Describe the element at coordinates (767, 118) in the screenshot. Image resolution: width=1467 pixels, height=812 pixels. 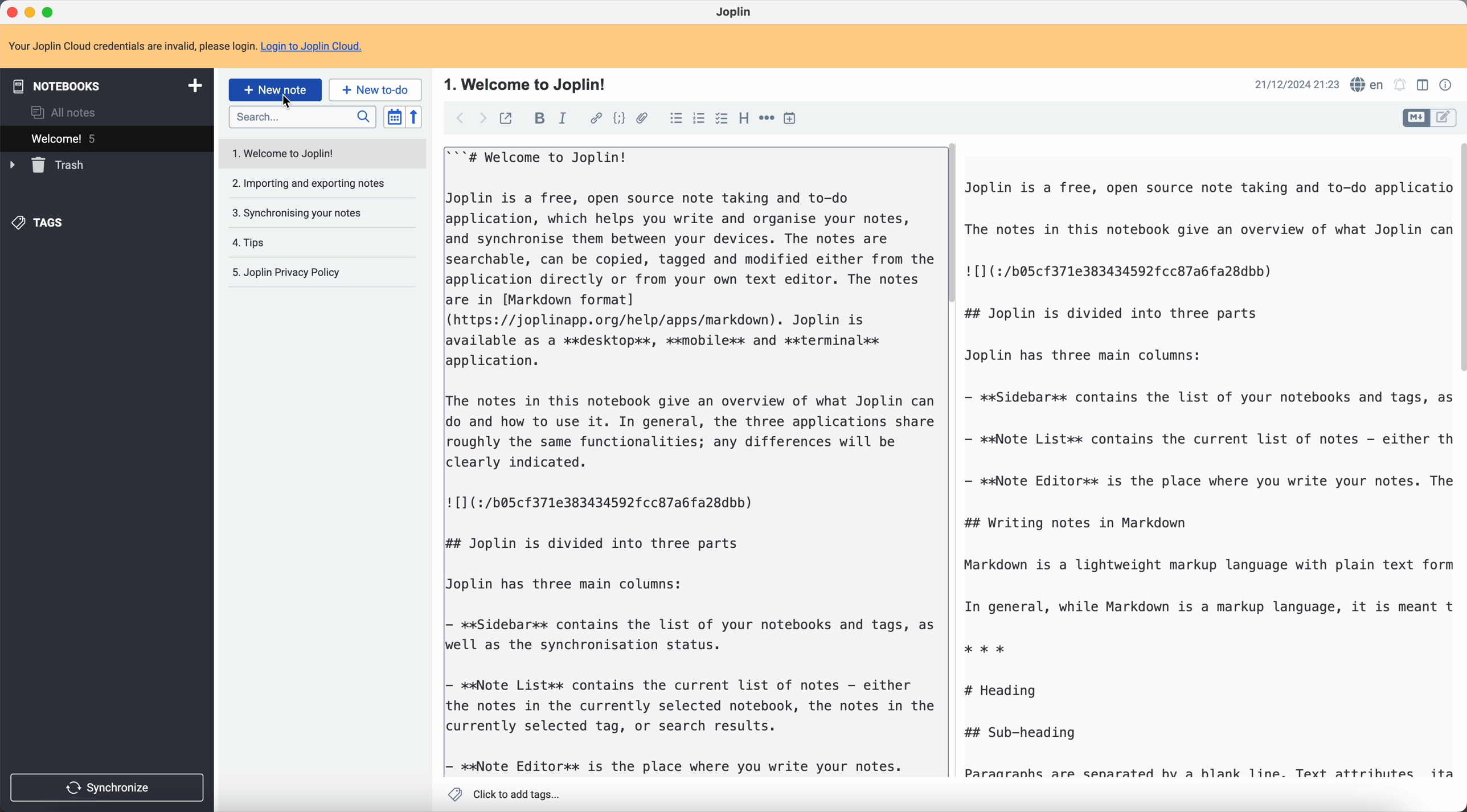
I see `horizontal rule` at that location.